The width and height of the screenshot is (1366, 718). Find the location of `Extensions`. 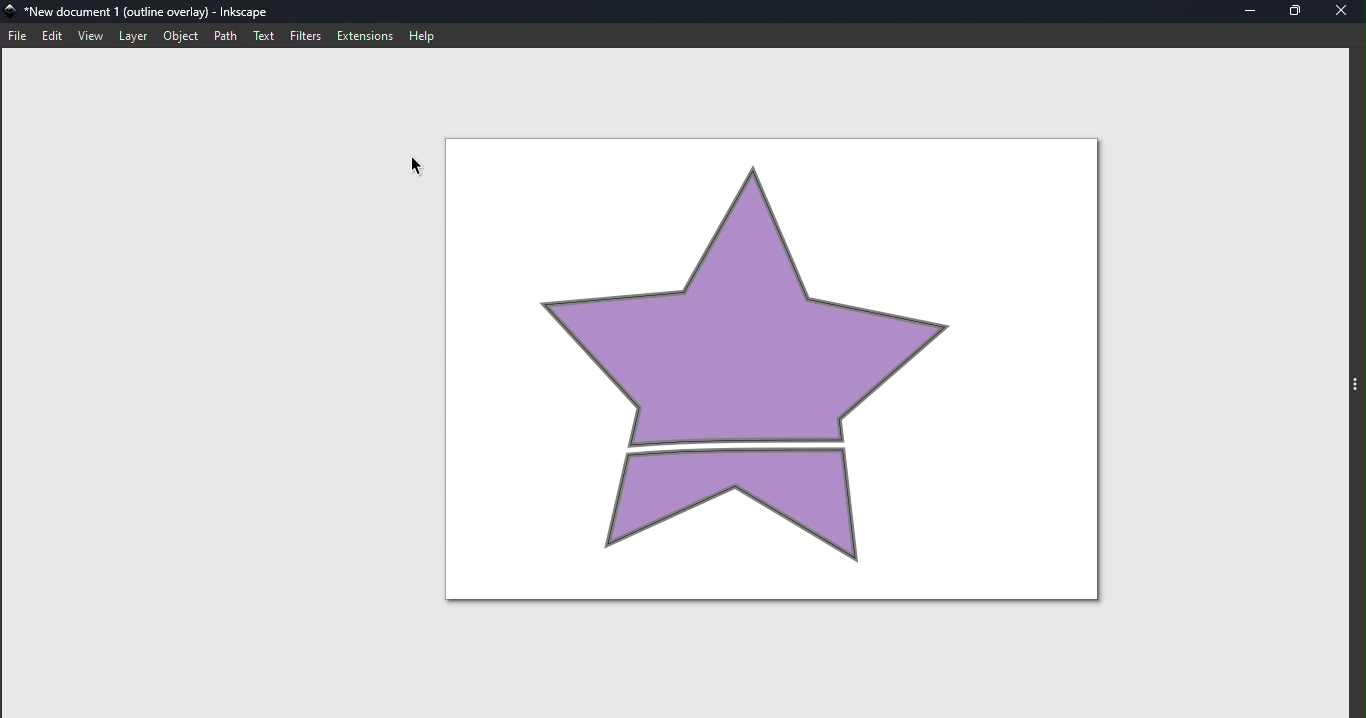

Extensions is located at coordinates (361, 35).